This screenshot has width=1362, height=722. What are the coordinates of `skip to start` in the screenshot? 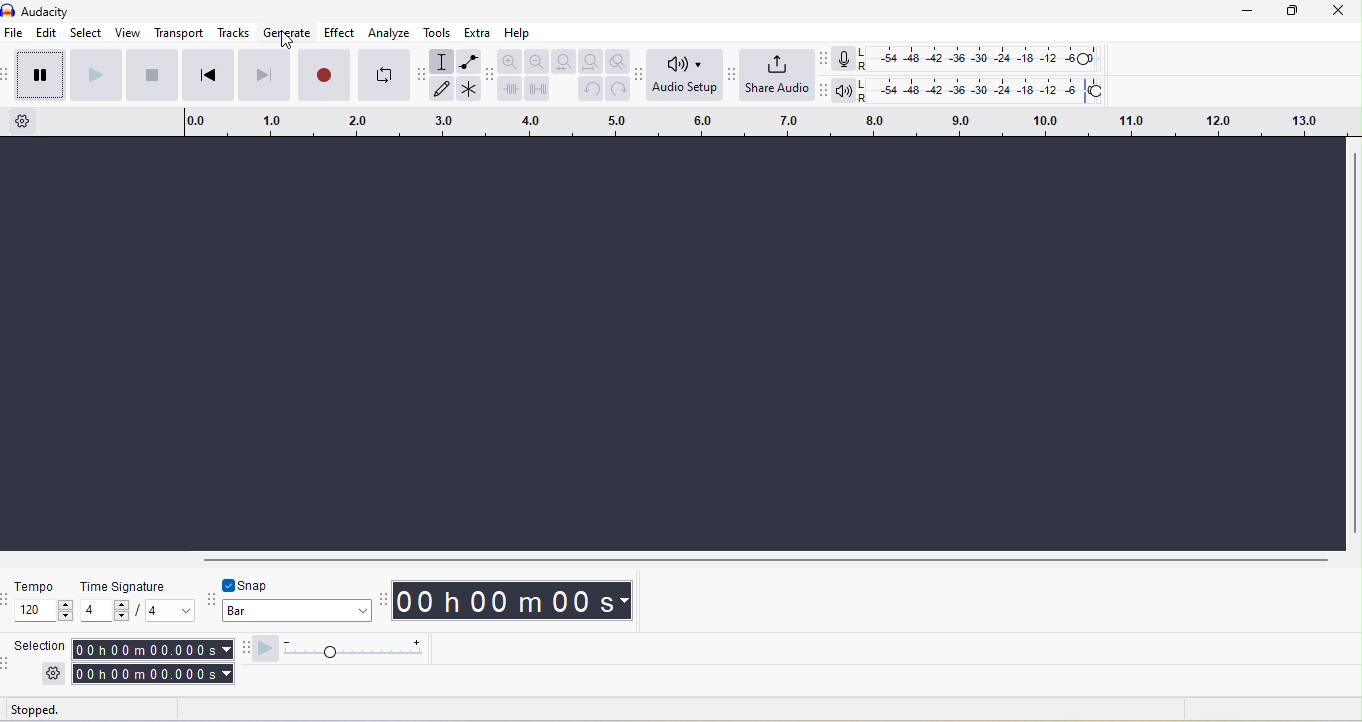 It's located at (205, 76).